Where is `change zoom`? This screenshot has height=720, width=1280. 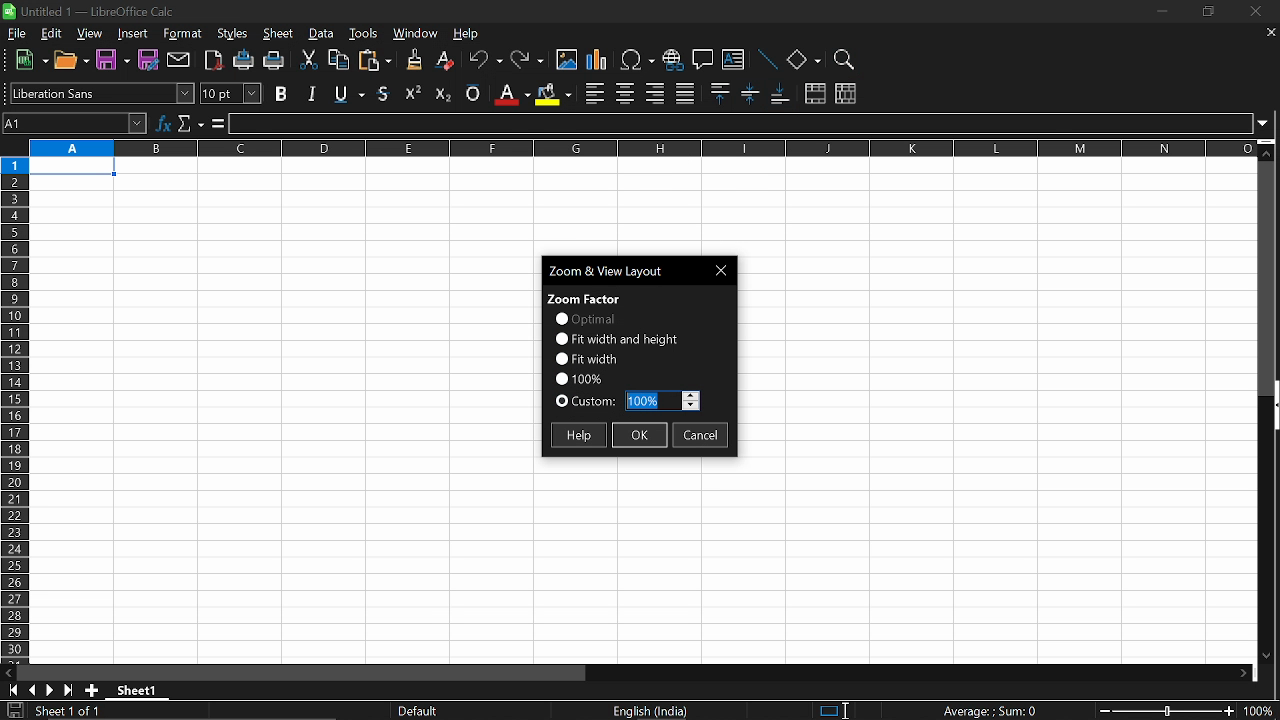
change zoom is located at coordinates (1166, 712).